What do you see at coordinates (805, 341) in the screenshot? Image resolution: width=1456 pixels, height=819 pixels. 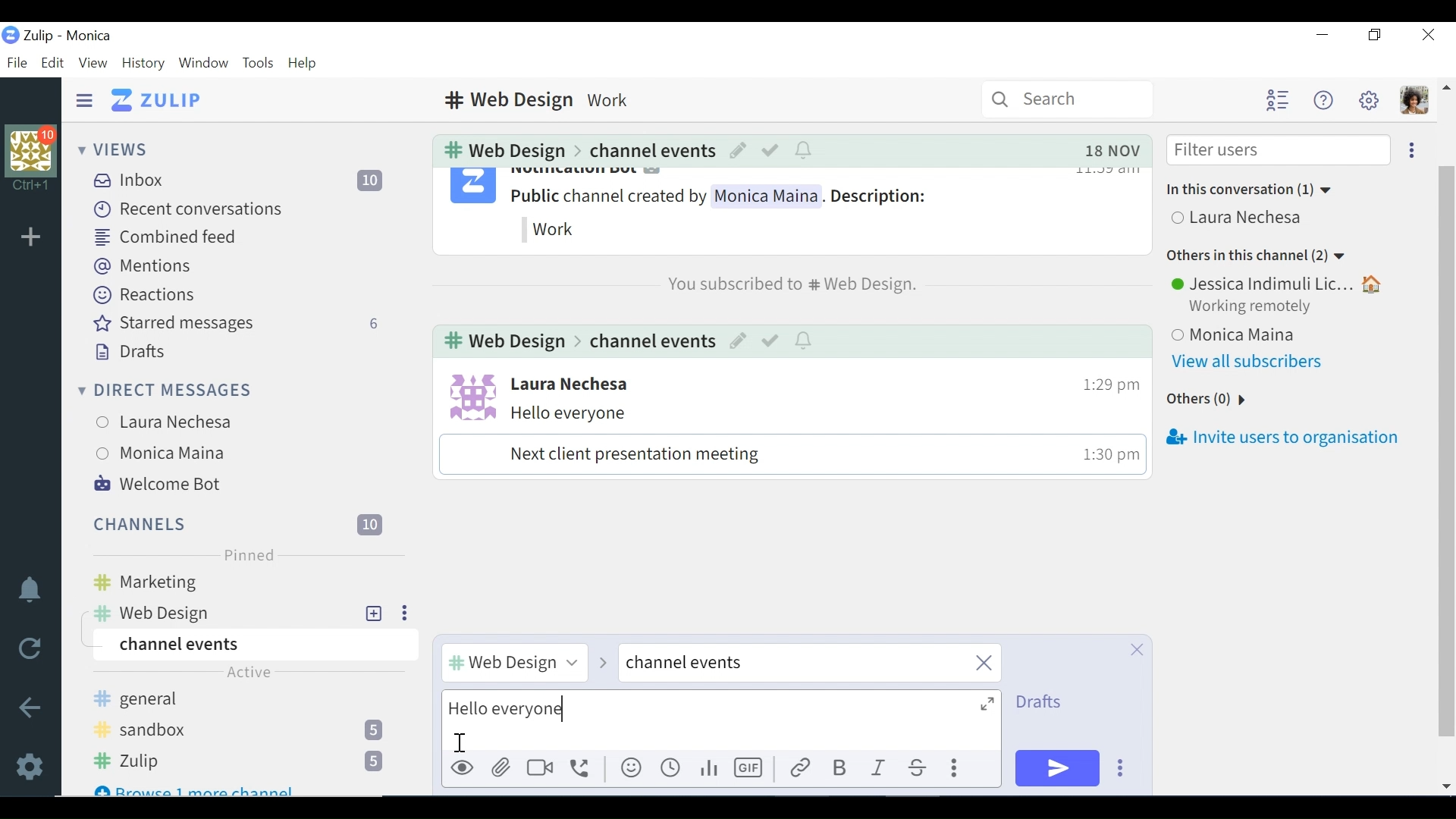 I see `notification` at bounding box center [805, 341].